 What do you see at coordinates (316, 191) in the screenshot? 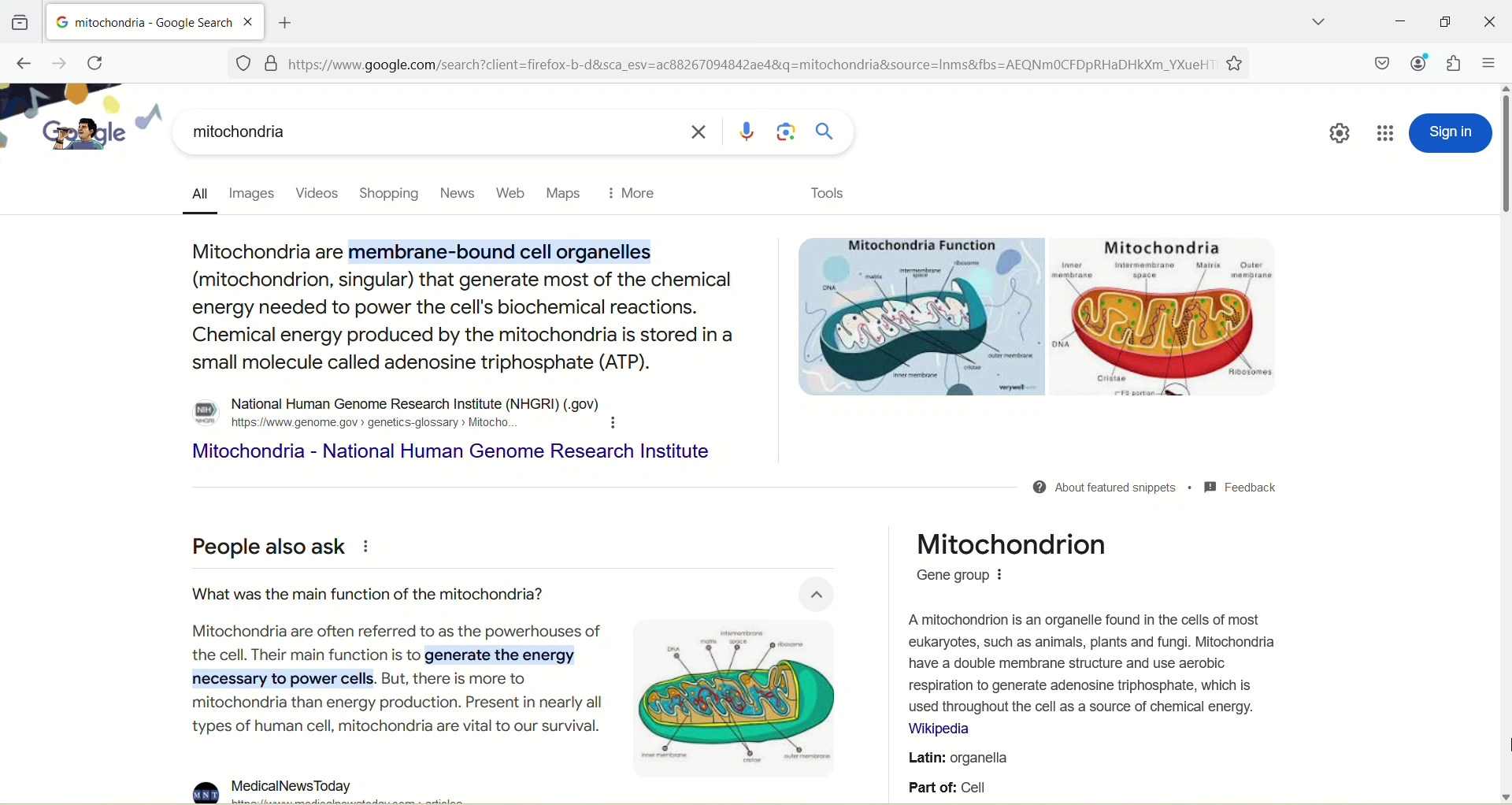
I see `videos` at bounding box center [316, 191].